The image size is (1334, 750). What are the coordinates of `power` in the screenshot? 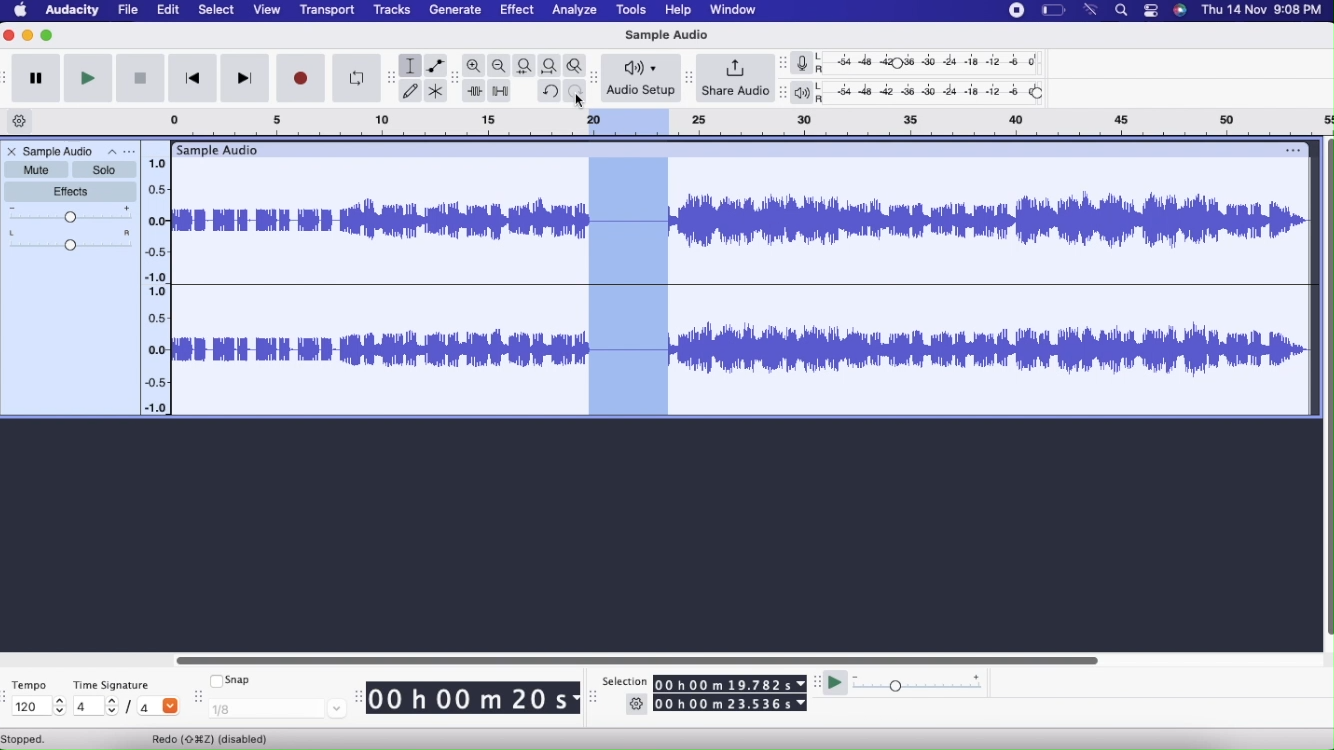 It's located at (1055, 10).